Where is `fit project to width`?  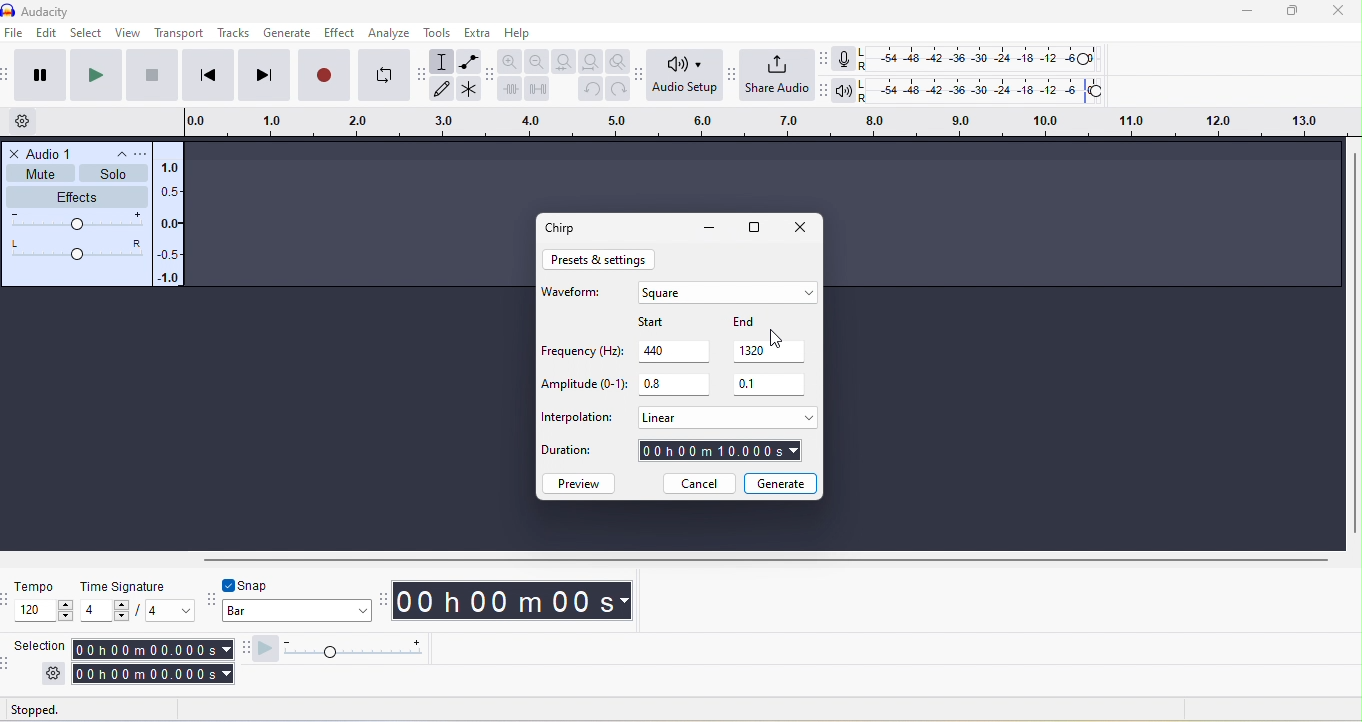
fit project to width is located at coordinates (590, 62).